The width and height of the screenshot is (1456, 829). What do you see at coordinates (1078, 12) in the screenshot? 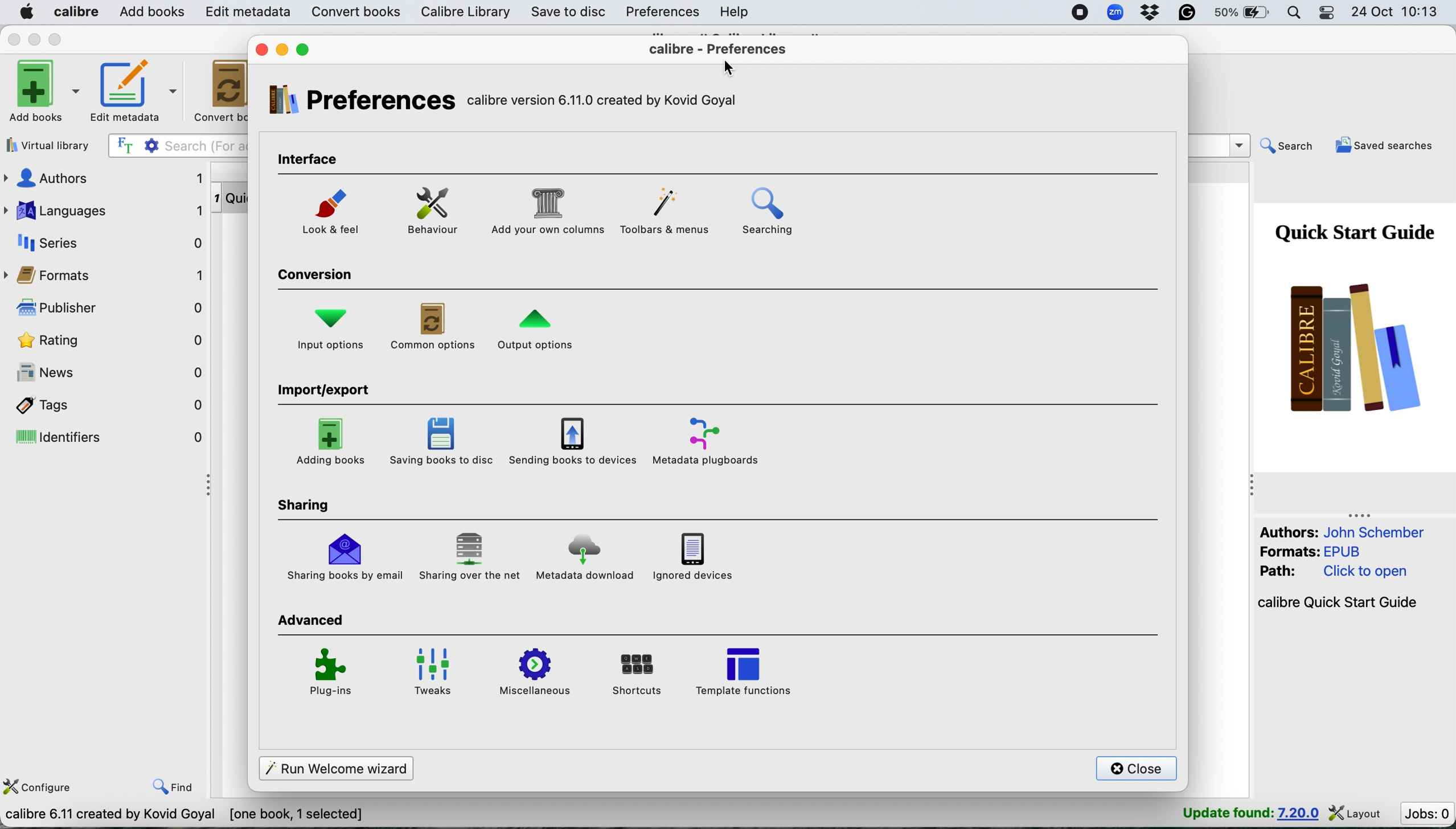
I see `screen recorder` at bounding box center [1078, 12].